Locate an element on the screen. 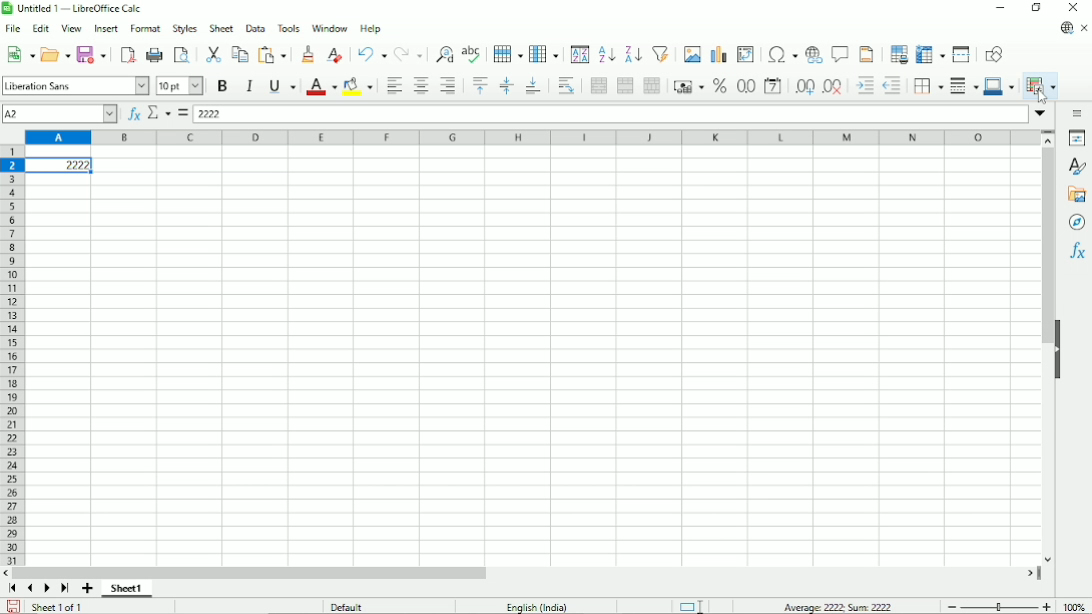 The image size is (1092, 614). Save is located at coordinates (92, 54).